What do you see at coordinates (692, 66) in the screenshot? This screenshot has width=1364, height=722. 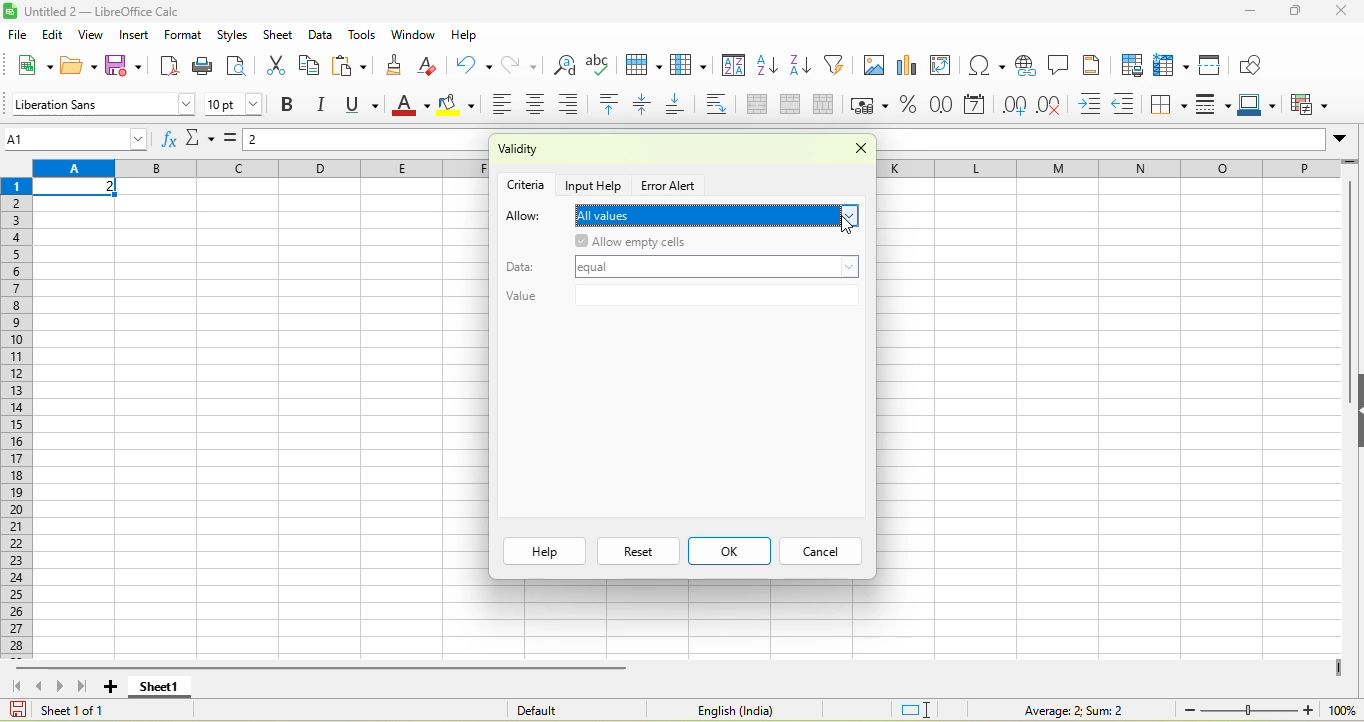 I see `column` at bounding box center [692, 66].